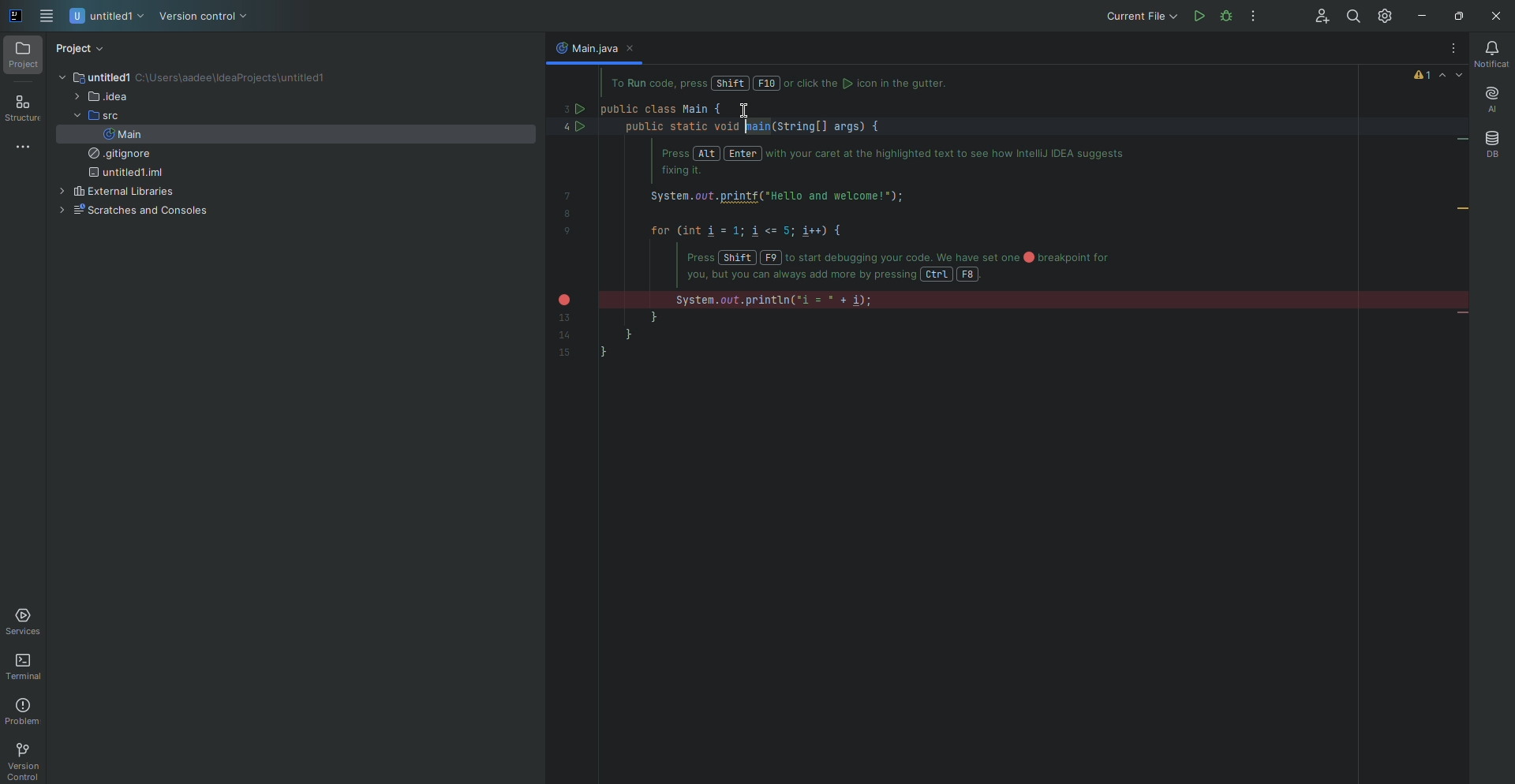 Image resolution: width=1515 pixels, height=784 pixels. I want to click on Untitled 1, so click(108, 17).